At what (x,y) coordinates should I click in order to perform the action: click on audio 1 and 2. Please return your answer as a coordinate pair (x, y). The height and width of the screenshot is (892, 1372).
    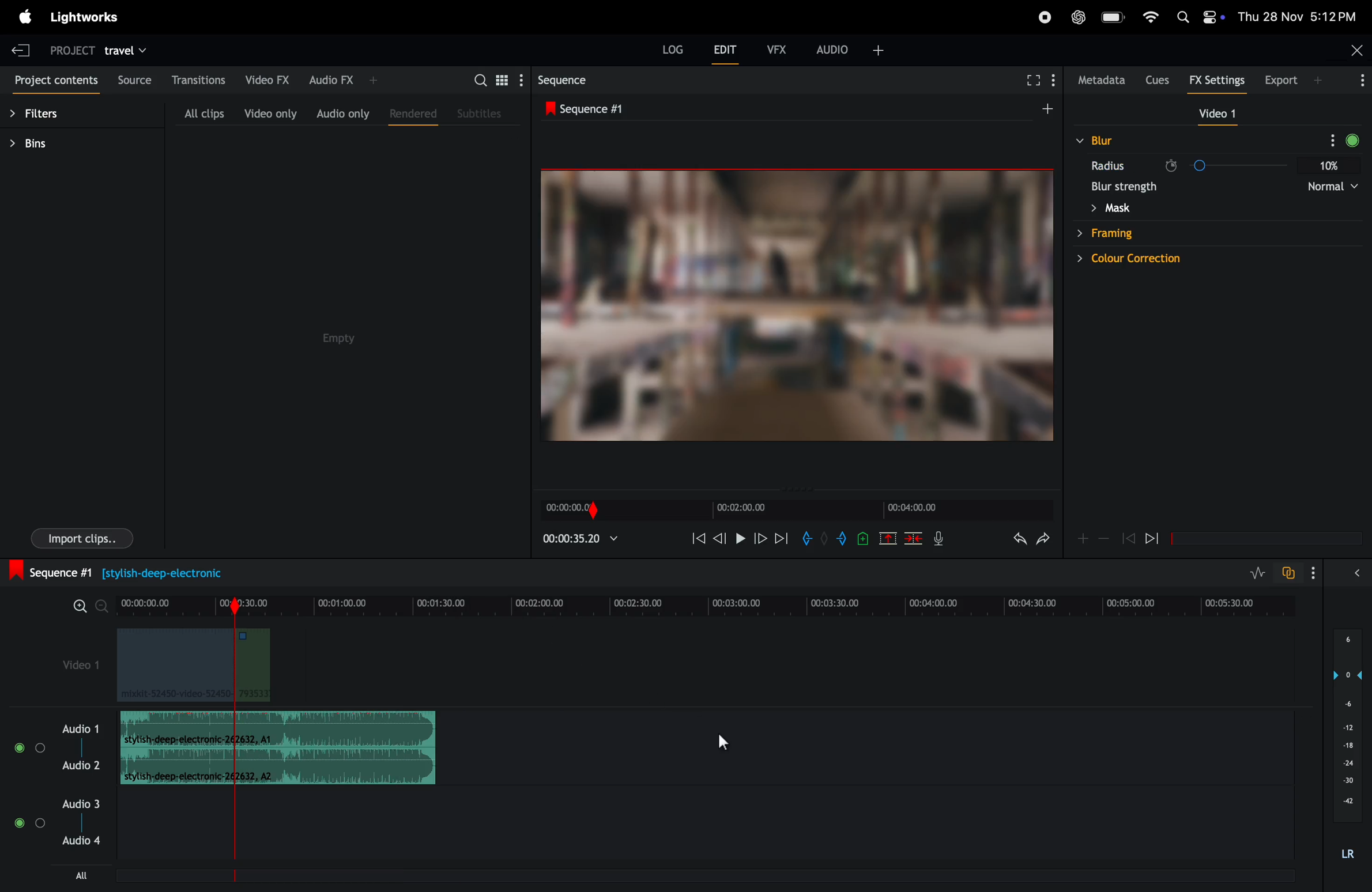
    Looking at the image, I should click on (81, 728).